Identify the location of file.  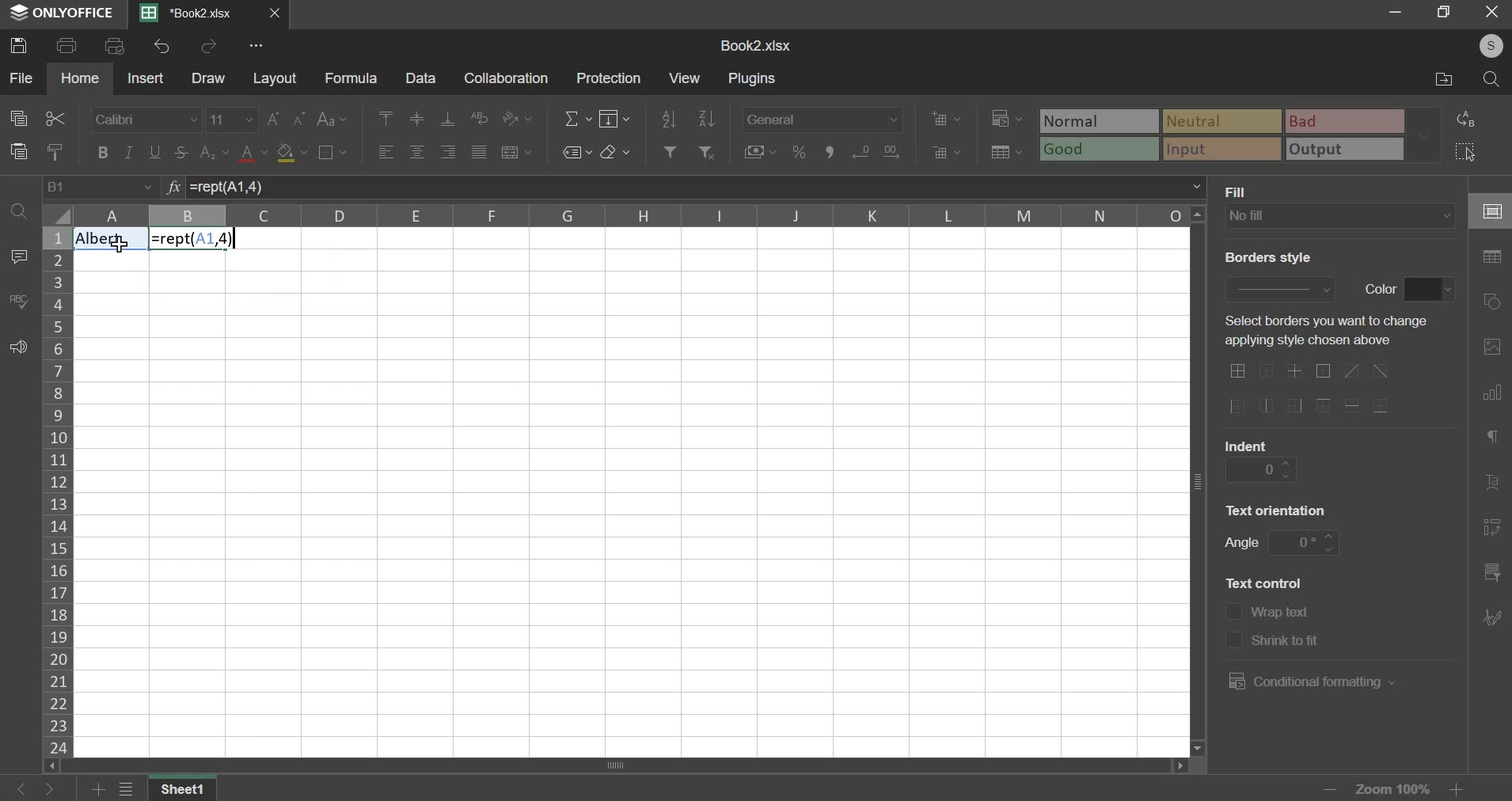
(21, 77).